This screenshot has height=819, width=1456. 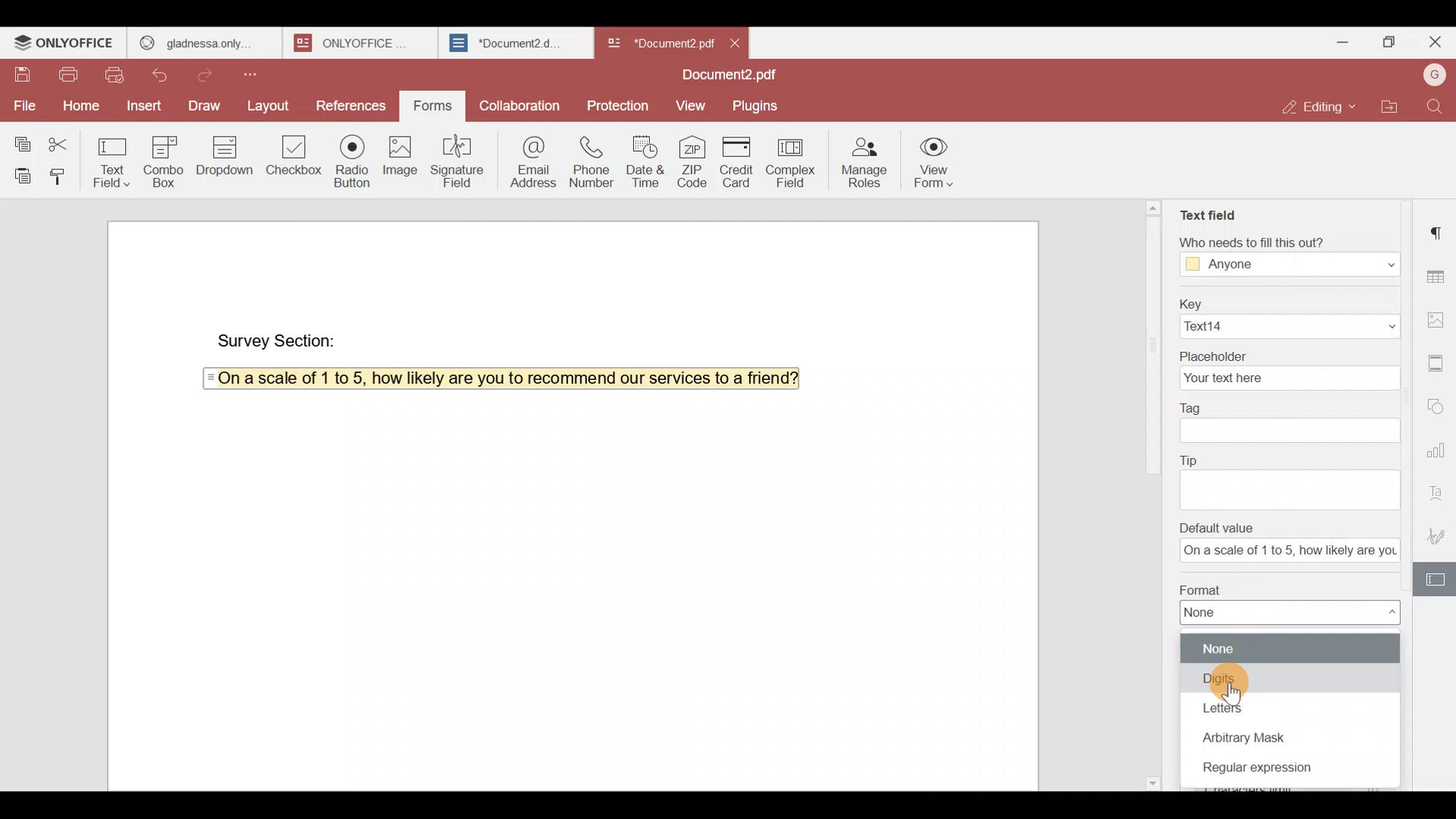 What do you see at coordinates (531, 160) in the screenshot?
I see `Email address` at bounding box center [531, 160].